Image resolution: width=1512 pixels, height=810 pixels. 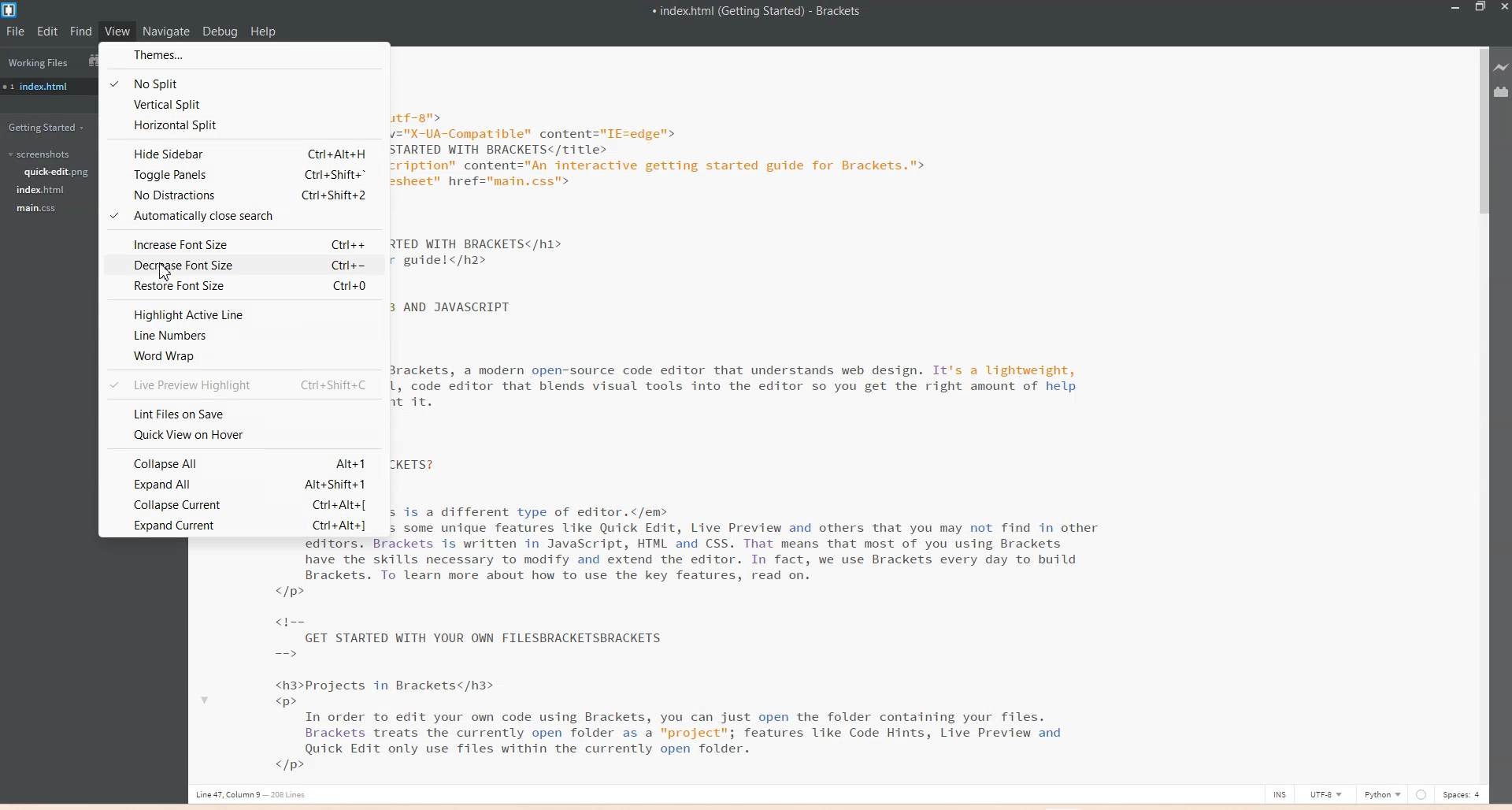 I want to click on Index.html, so click(x=43, y=190).